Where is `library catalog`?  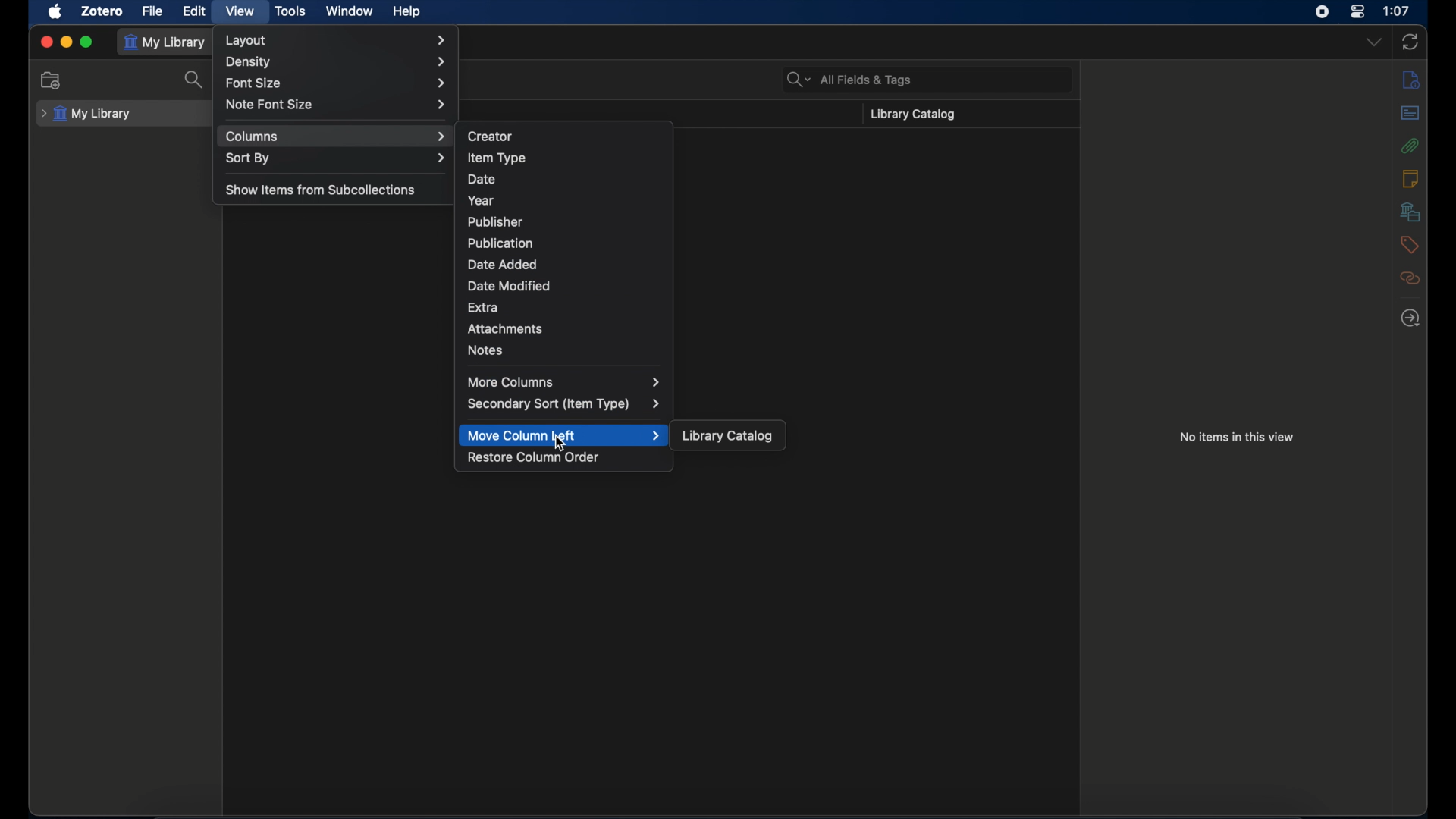 library catalog is located at coordinates (728, 436).